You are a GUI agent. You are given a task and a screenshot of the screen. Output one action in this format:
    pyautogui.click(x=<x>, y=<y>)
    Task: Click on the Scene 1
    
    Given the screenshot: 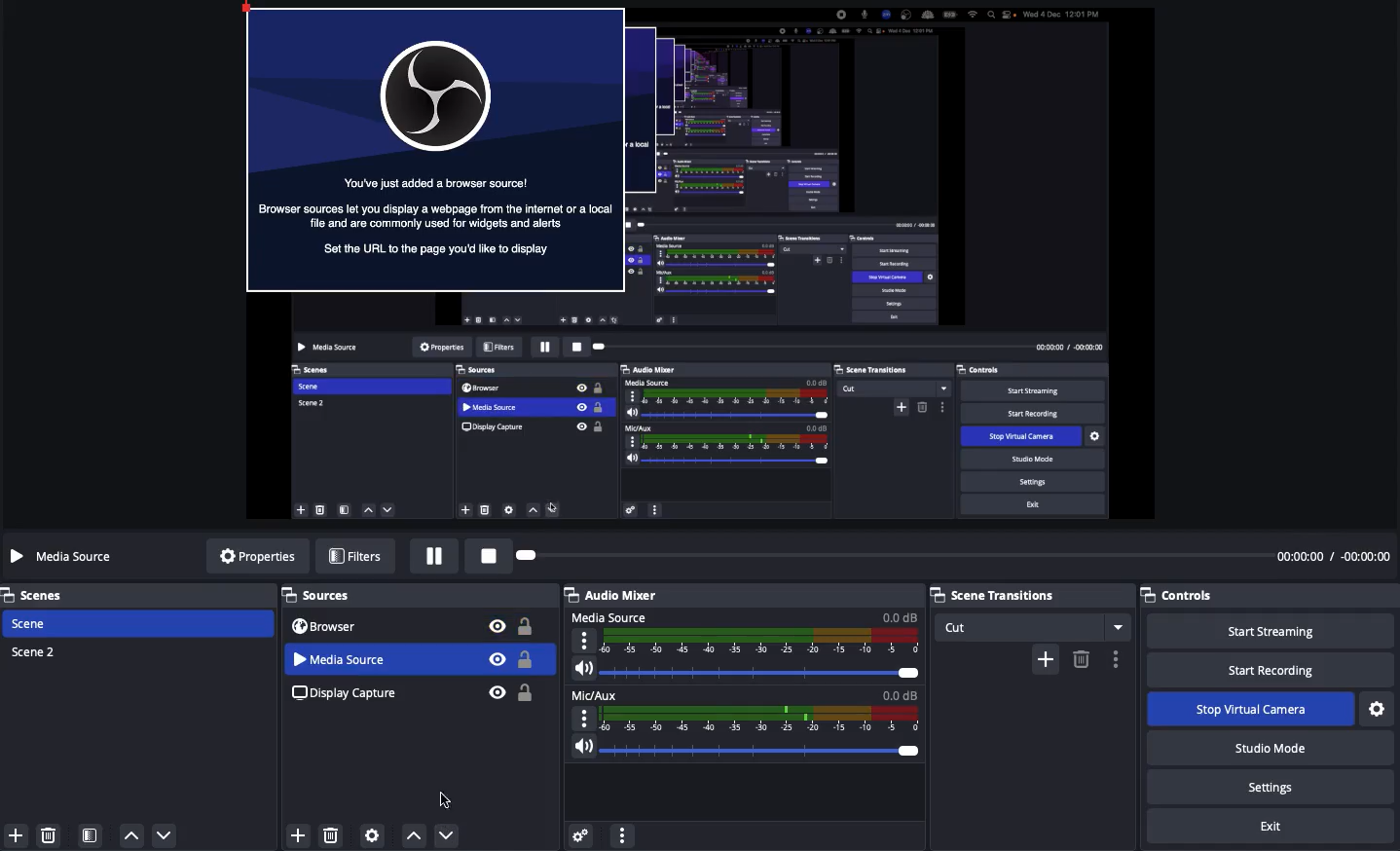 What is the action you would take?
    pyautogui.click(x=29, y=624)
    